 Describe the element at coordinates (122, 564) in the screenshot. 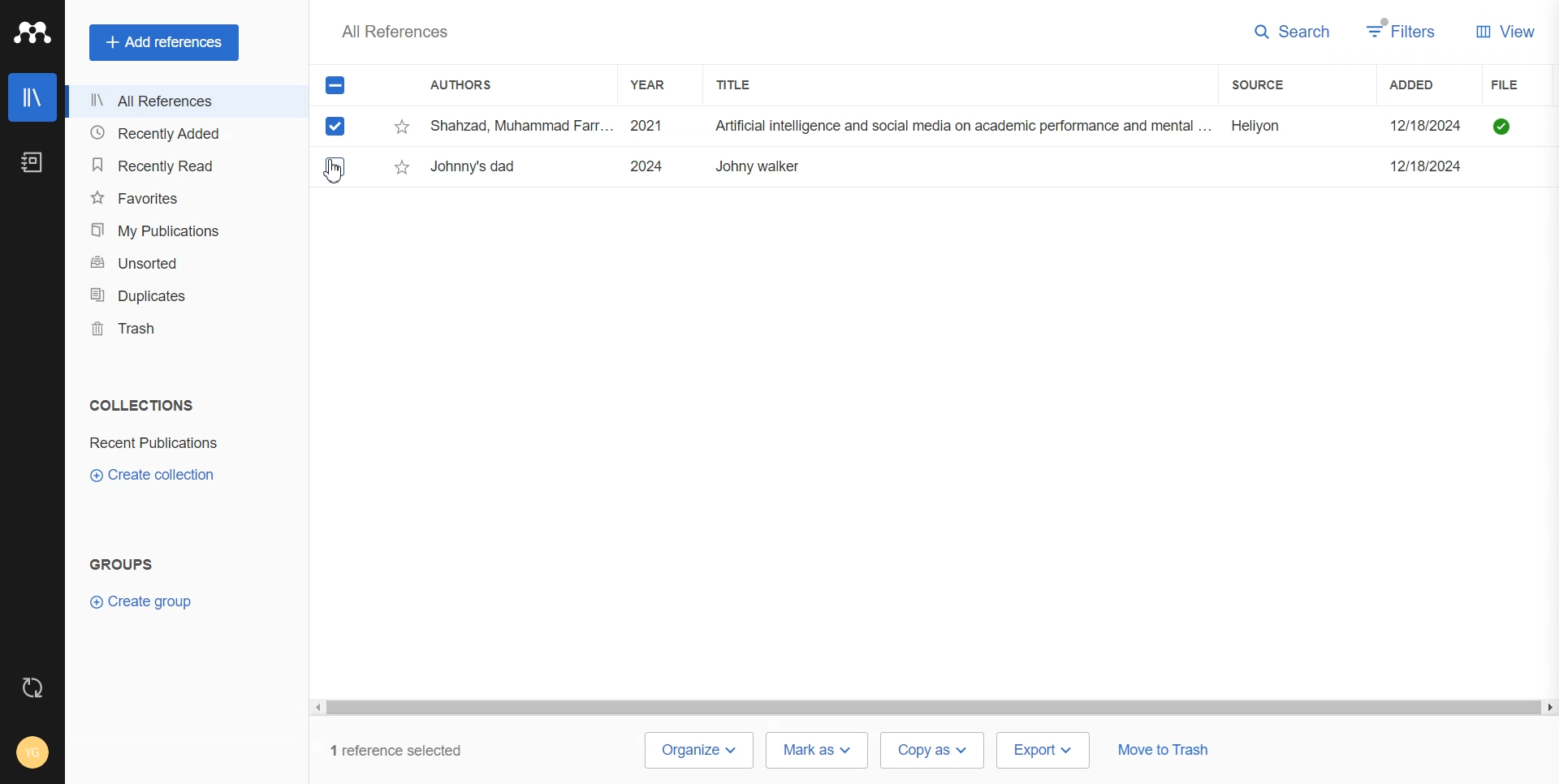

I see `Text 2` at that location.